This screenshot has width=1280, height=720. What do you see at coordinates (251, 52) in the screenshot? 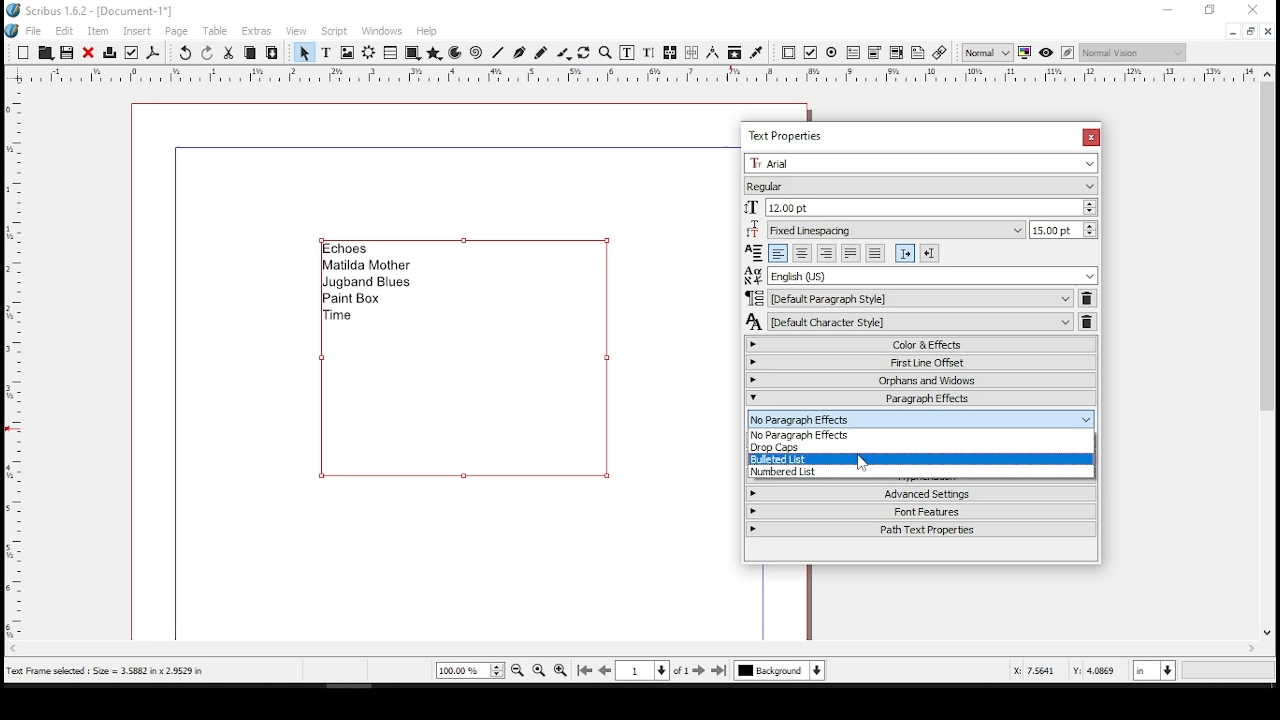
I see `copy` at bounding box center [251, 52].